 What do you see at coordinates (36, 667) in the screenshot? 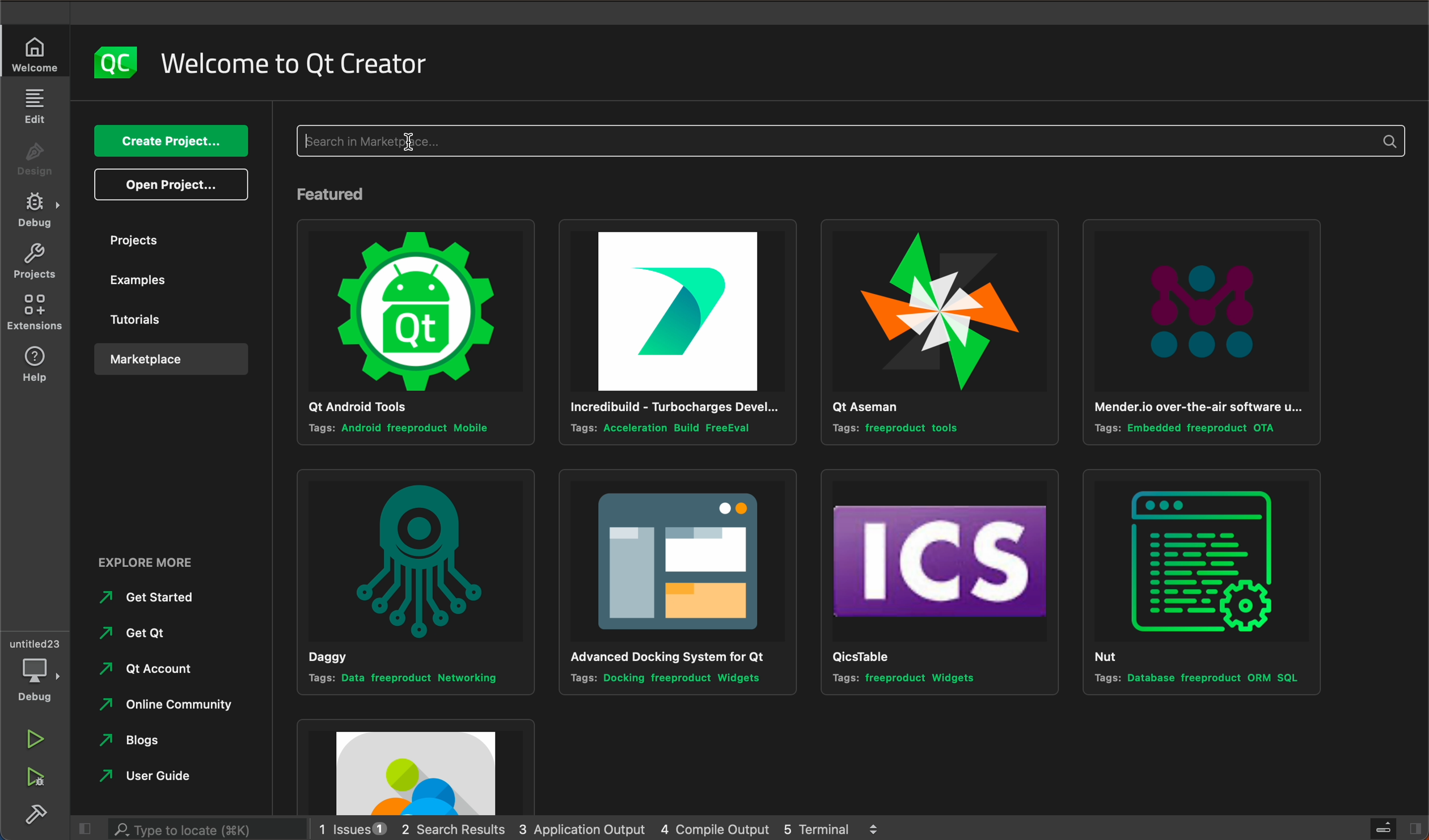
I see `debug` at bounding box center [36, 667].